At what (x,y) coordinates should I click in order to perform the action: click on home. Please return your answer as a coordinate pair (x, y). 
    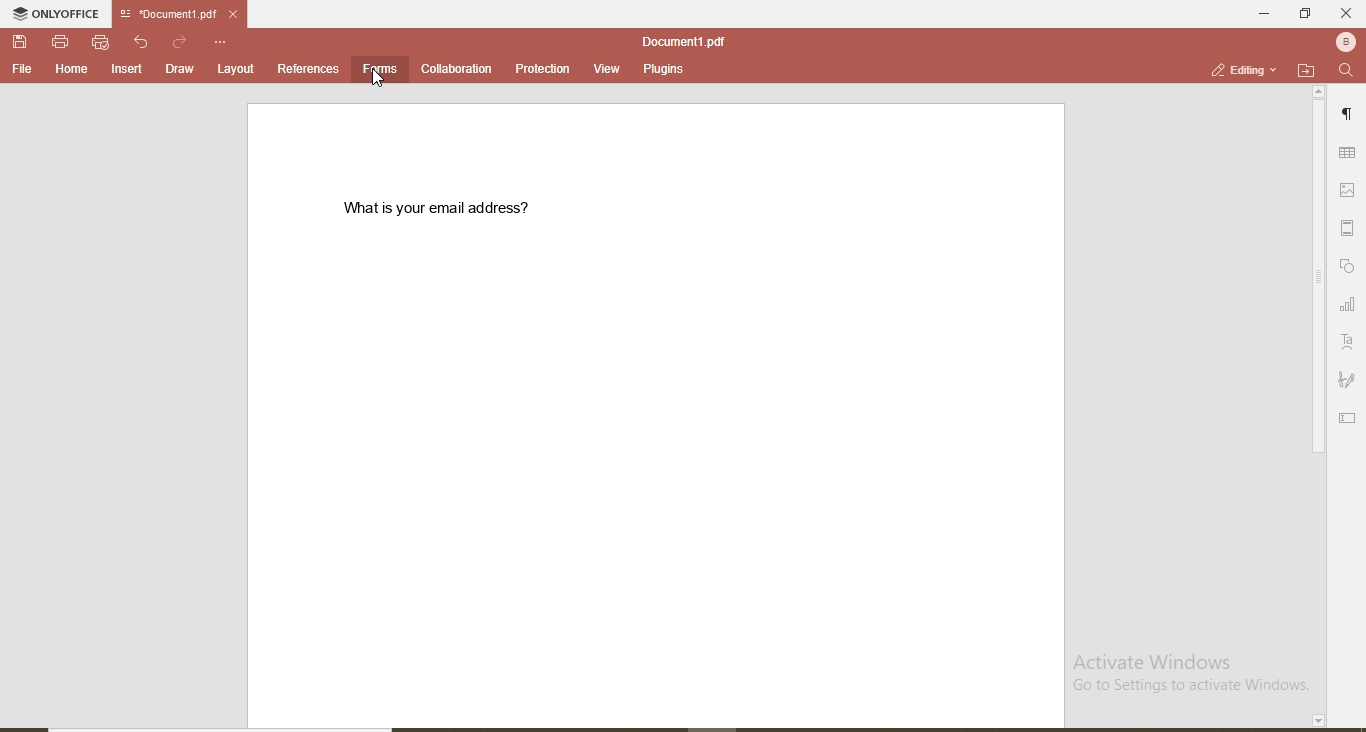
    Looking at the image, I should click on (68, 69).